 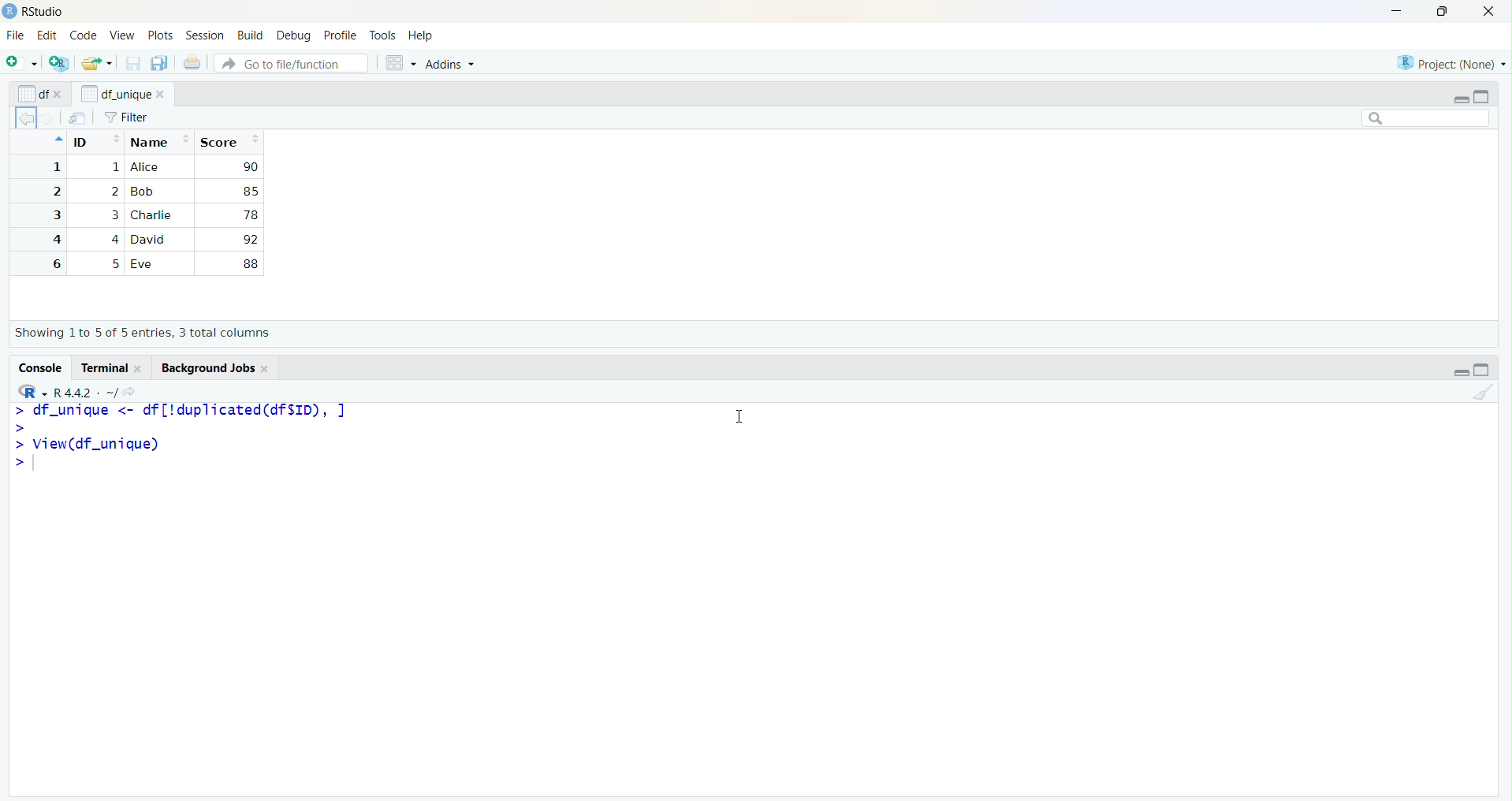 I want to click on Charlie, so click(x=154, y=312).